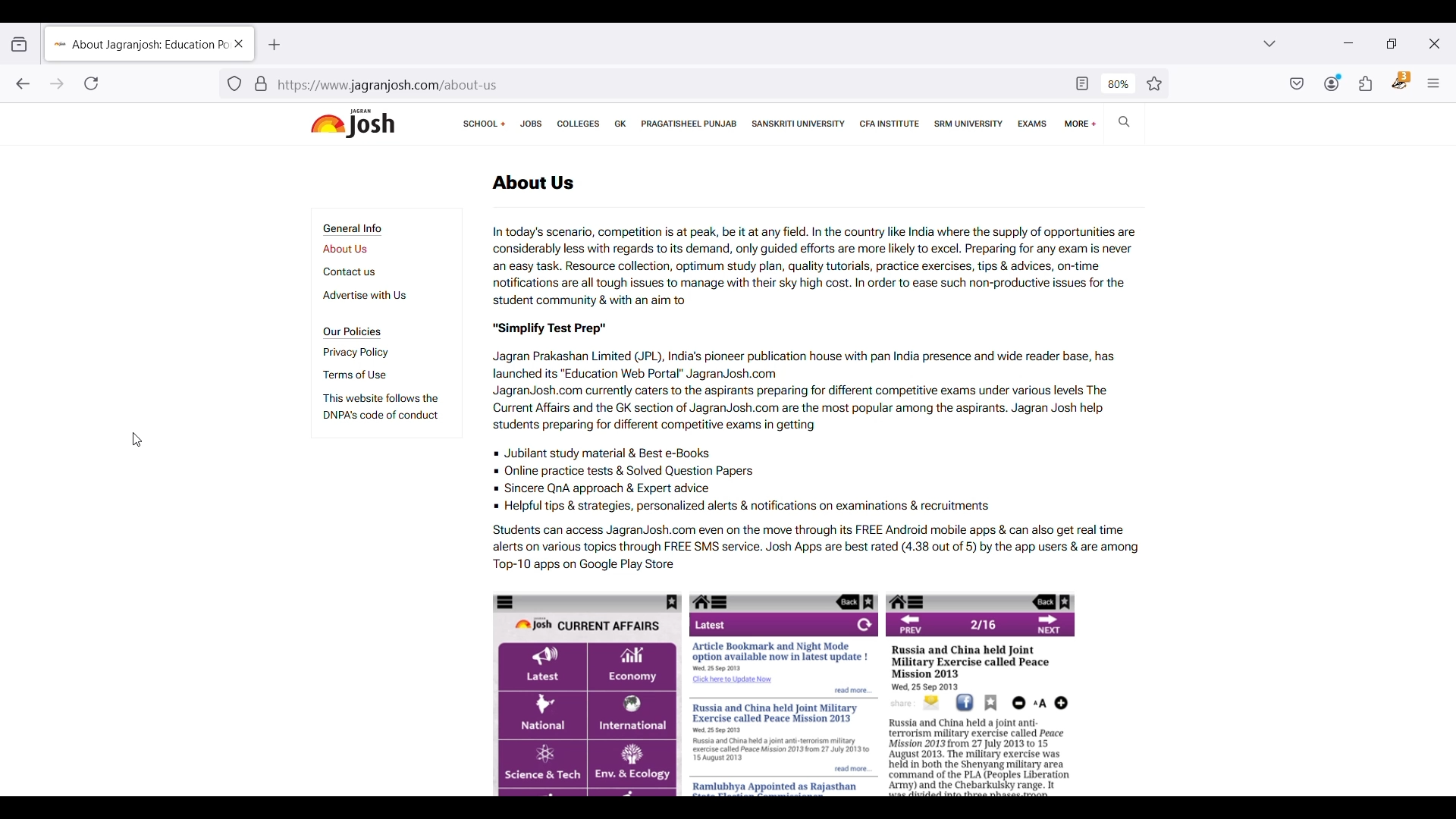  I want to click on Contact us page, so click(350, 271).